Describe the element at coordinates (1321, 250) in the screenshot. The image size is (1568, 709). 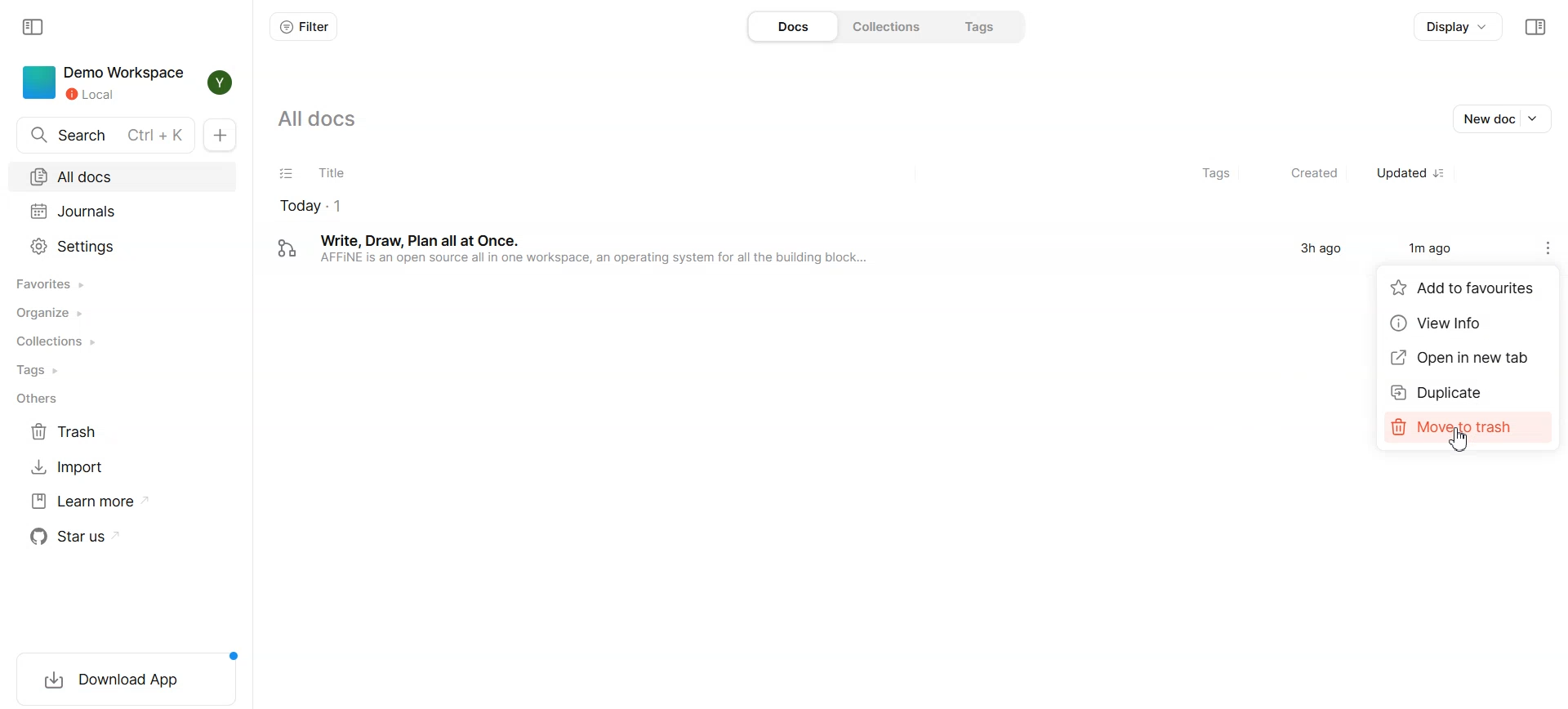
I see `3h ago` at that location.